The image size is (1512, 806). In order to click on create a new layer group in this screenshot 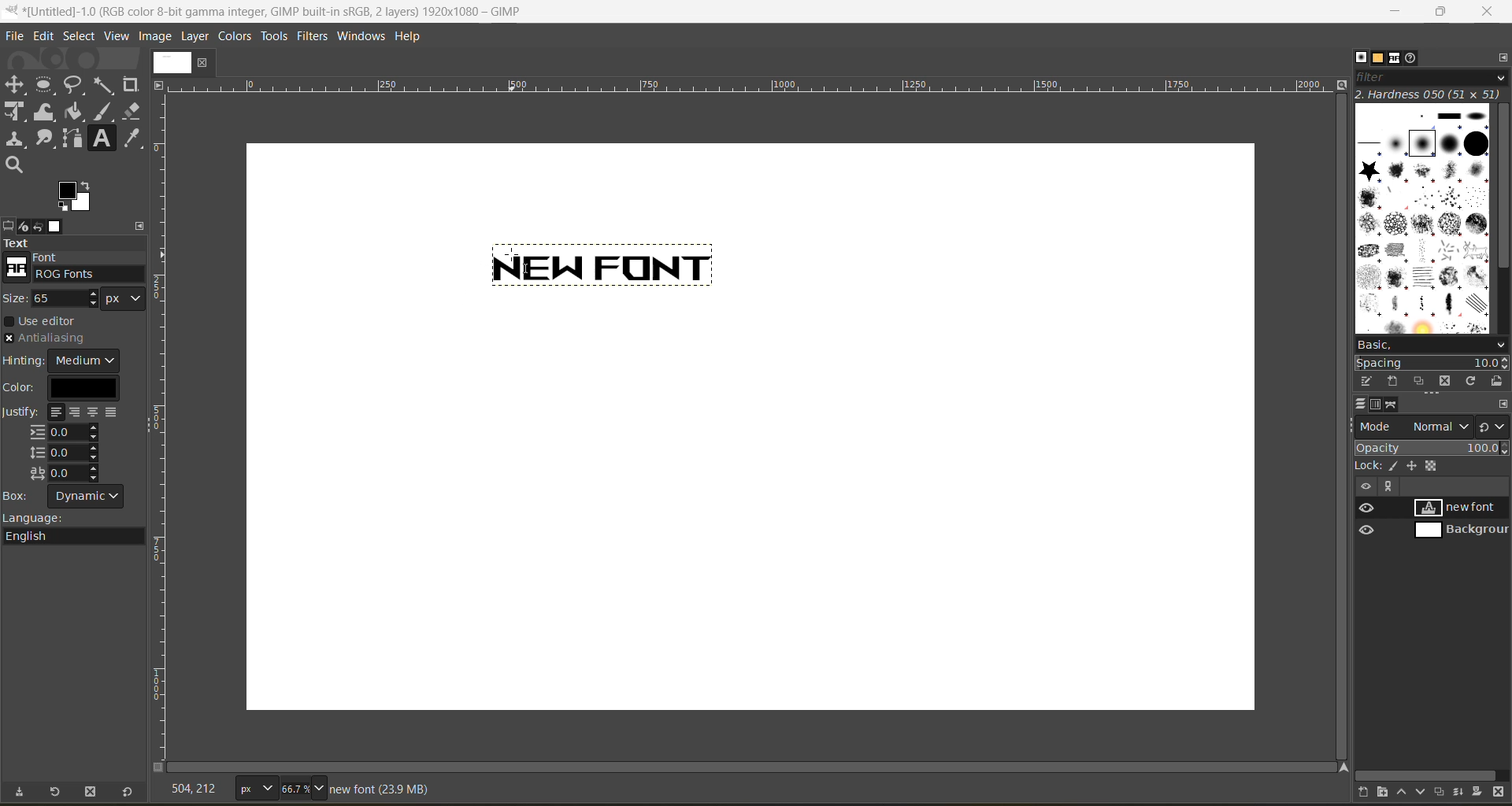, I will do `click(1382, 792)`.